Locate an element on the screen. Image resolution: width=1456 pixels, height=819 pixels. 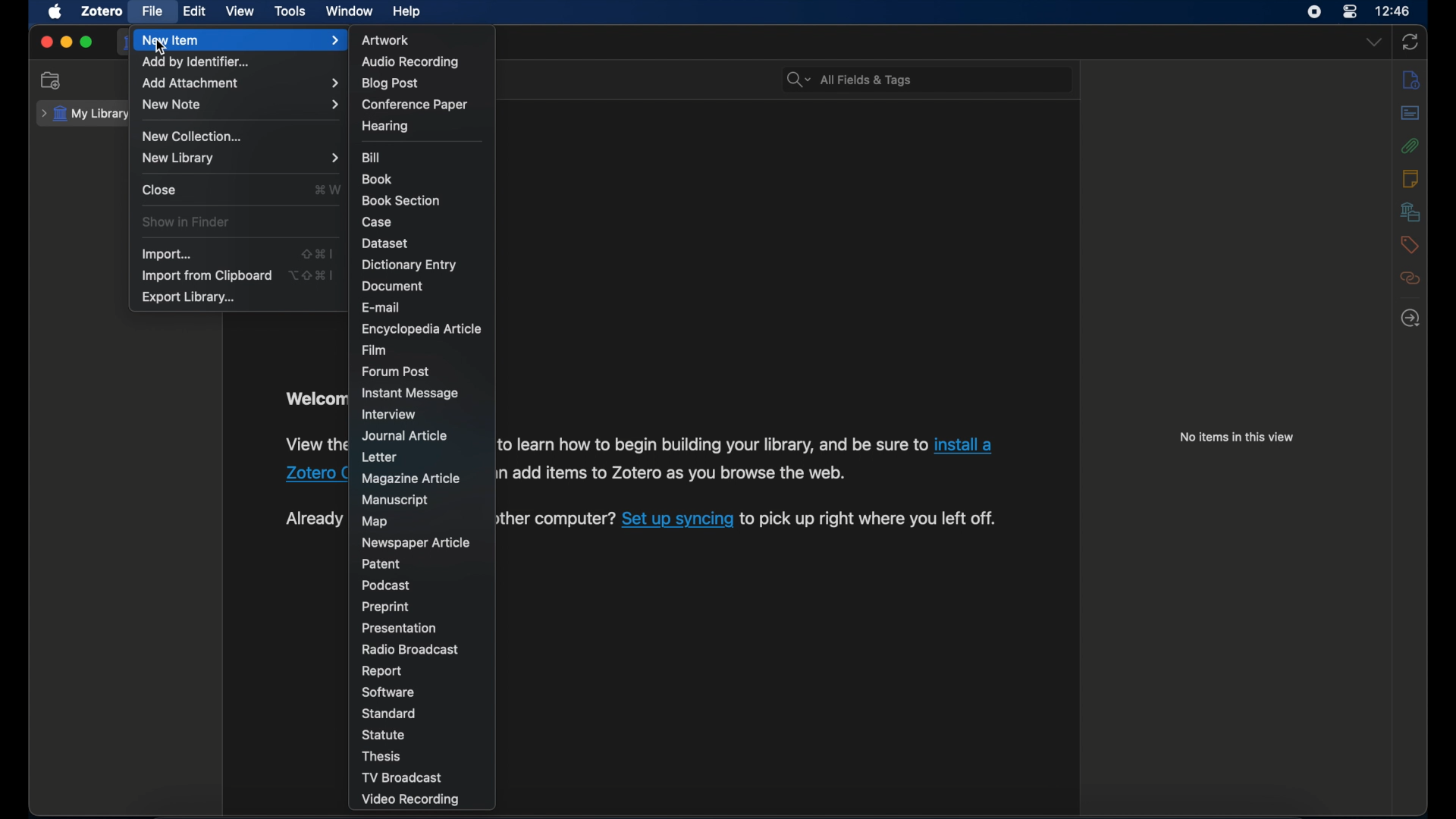
book section is located at coordinates (401, 202).